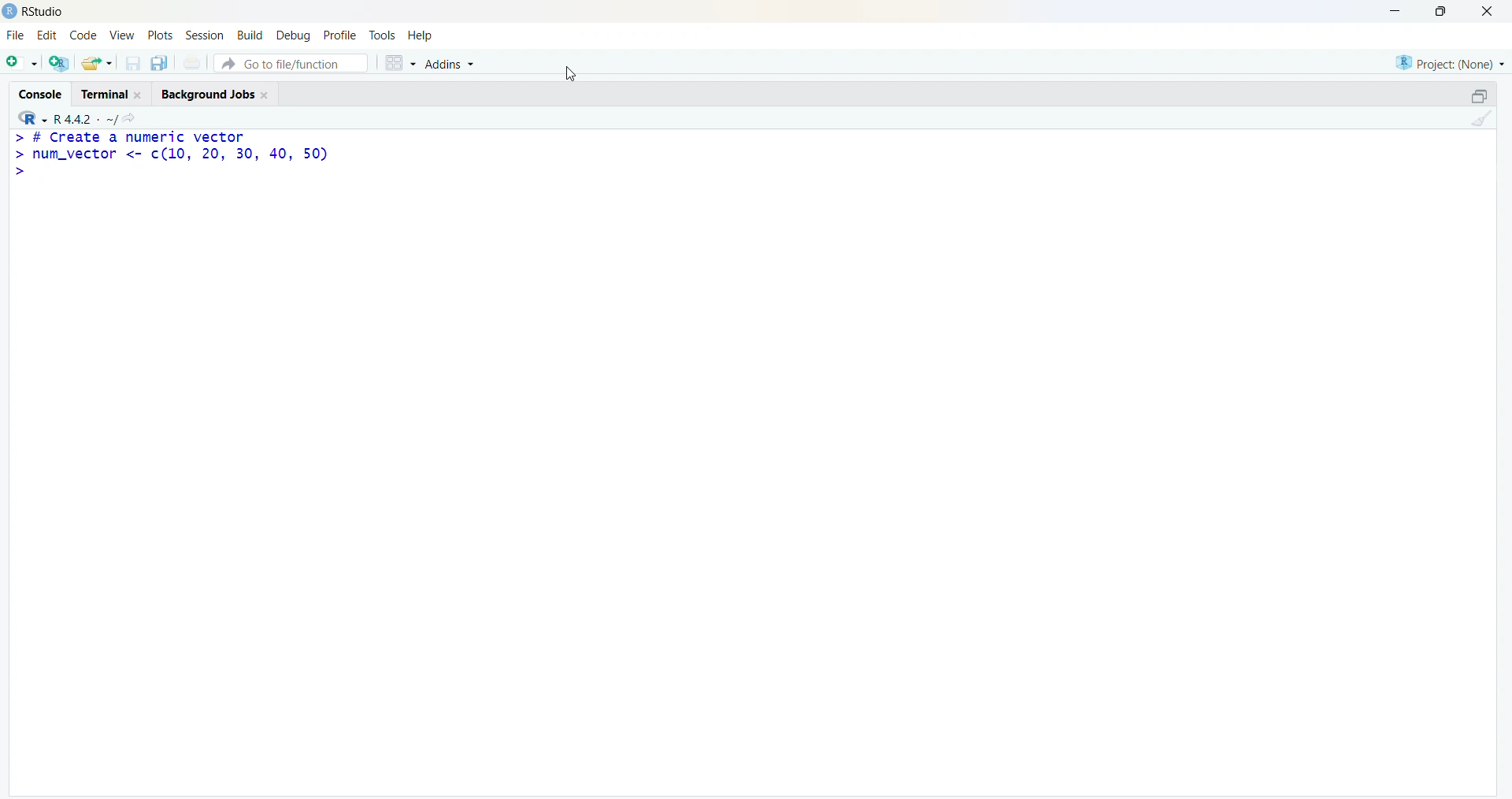 Image resolution: width=1512 pixels, height=799 pixels. What do you see at coordinates (170, 156) in the screenshot?
I see `> # Create a numeric vector
> num_vector <- c(10, 20, 30, 40, 50)
>` at bounding box center [170, 156].